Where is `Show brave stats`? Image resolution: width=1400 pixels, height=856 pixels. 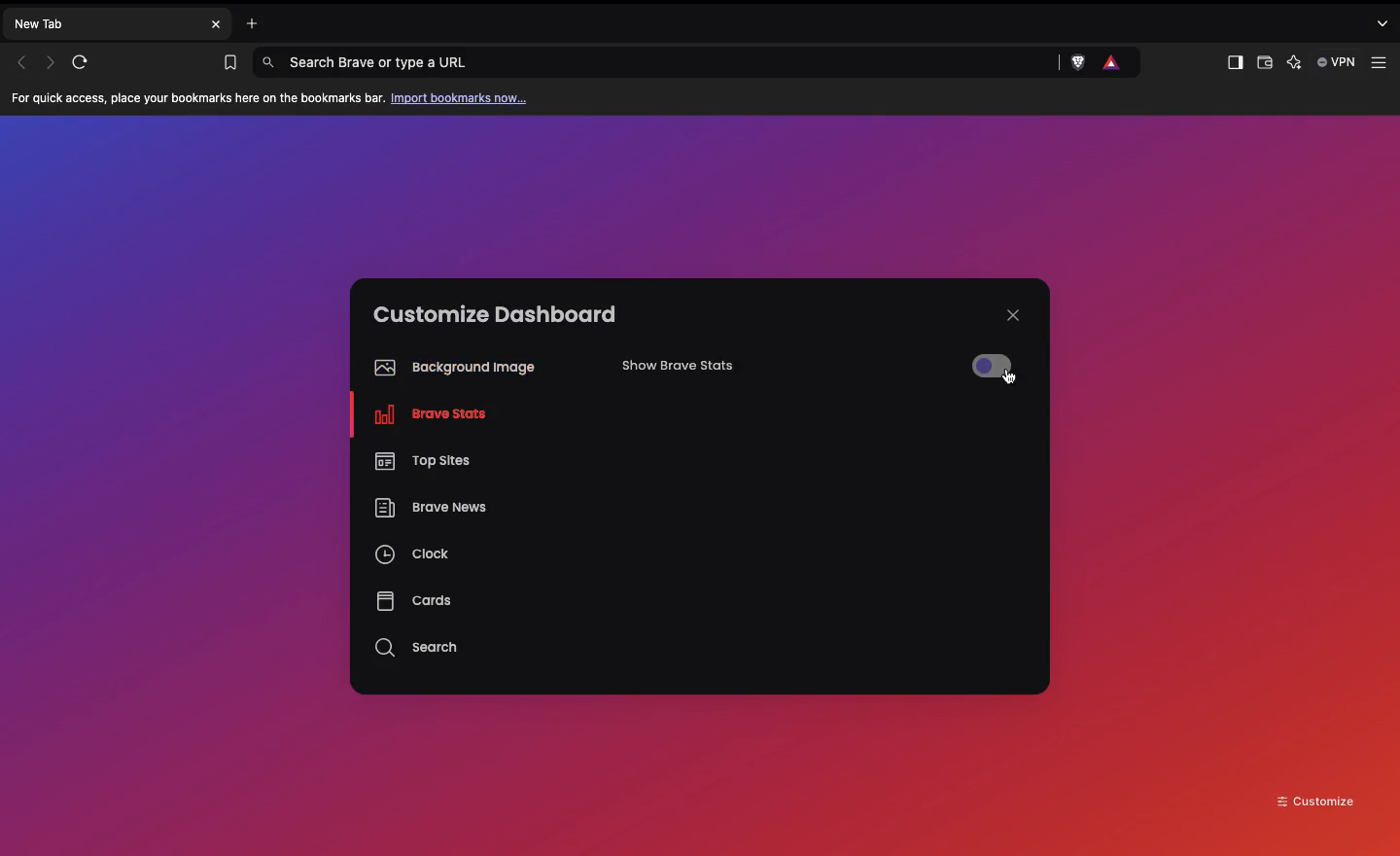 Show brave stats is located at coordinates (706, 372).